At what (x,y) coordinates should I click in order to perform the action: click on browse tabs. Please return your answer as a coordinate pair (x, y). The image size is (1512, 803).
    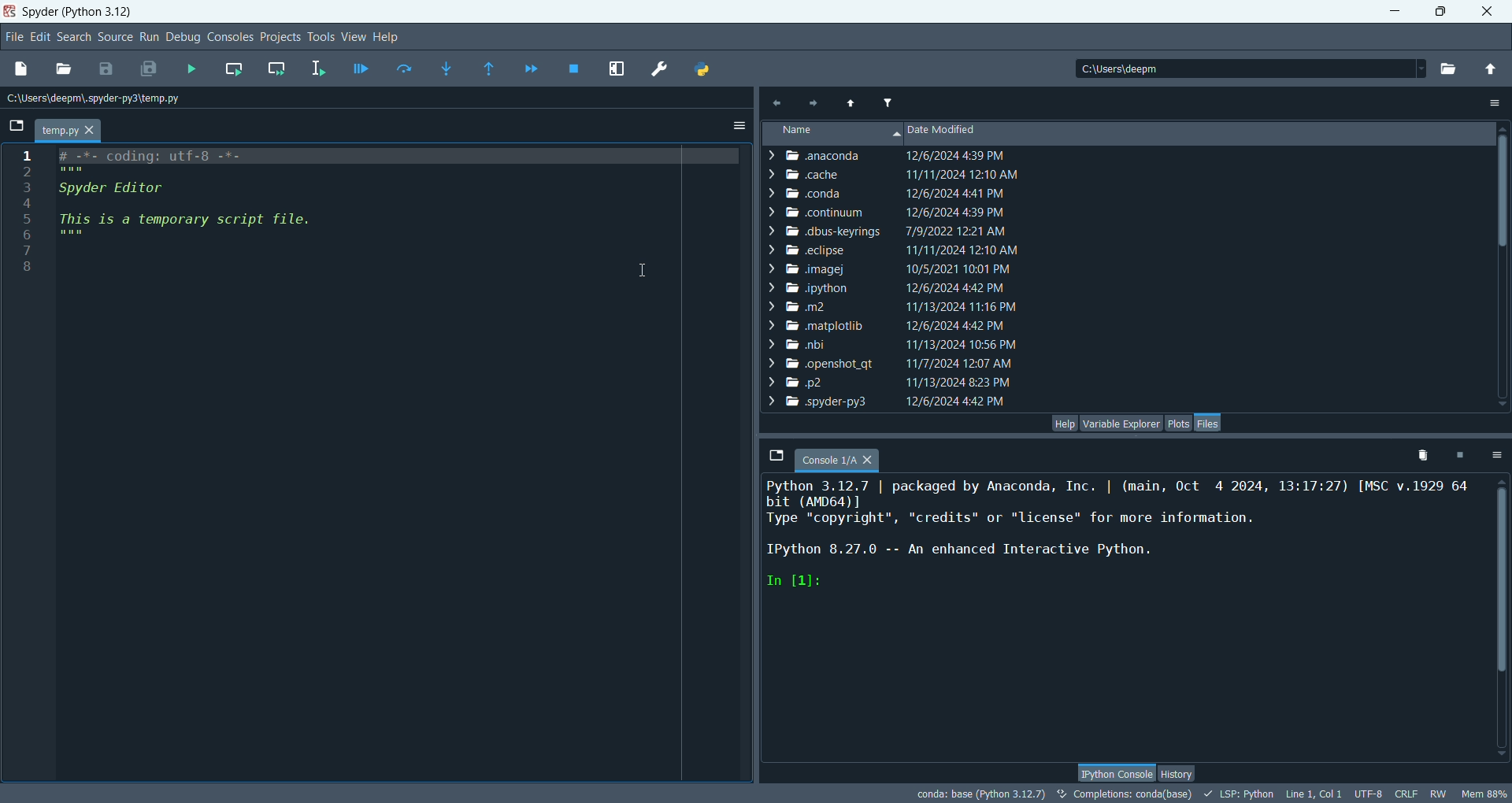
    Looking at the image, I should click on (15, 124).